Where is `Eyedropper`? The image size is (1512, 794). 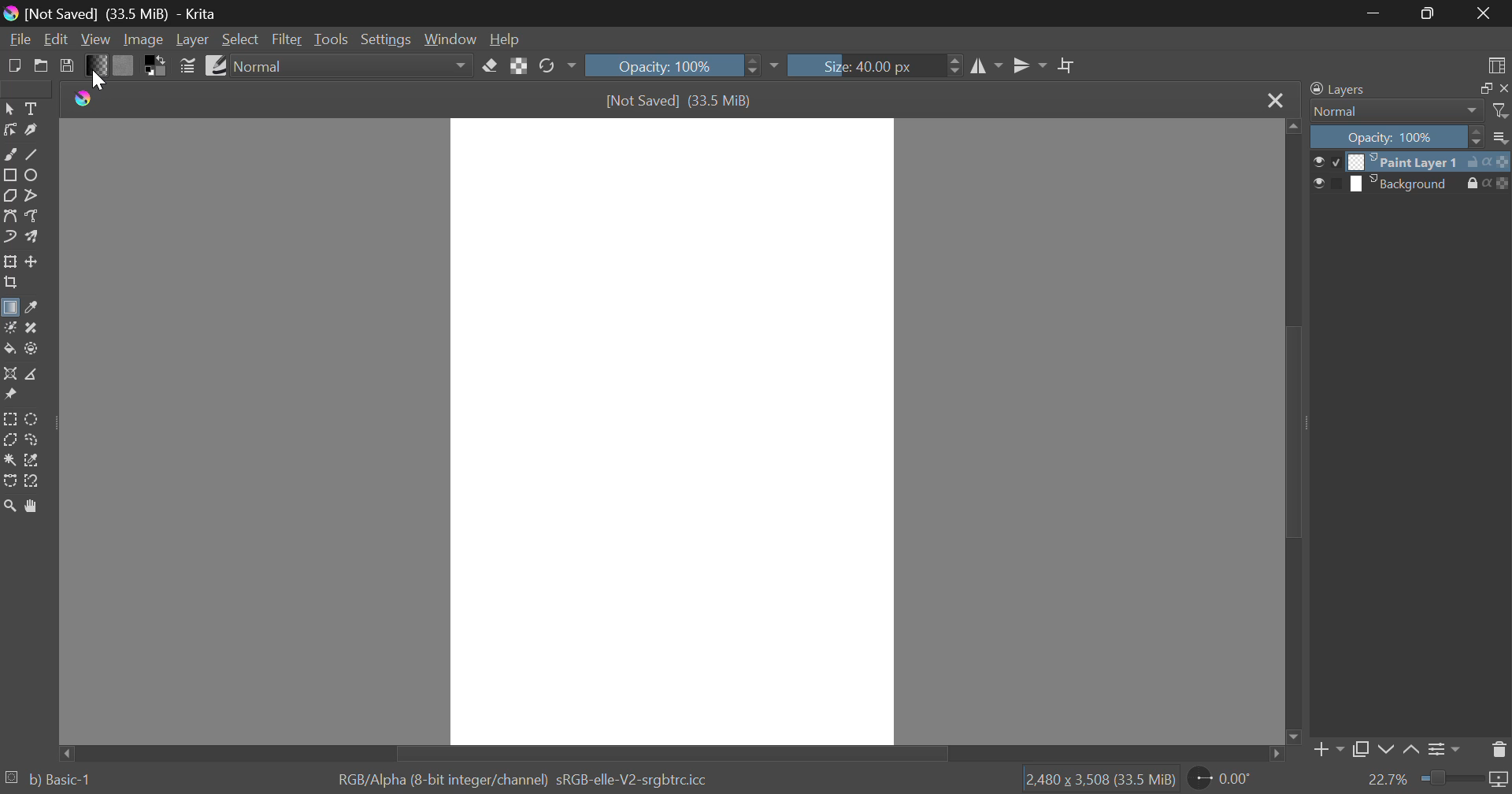
Eyedropper is located at coordinates (30, 309).